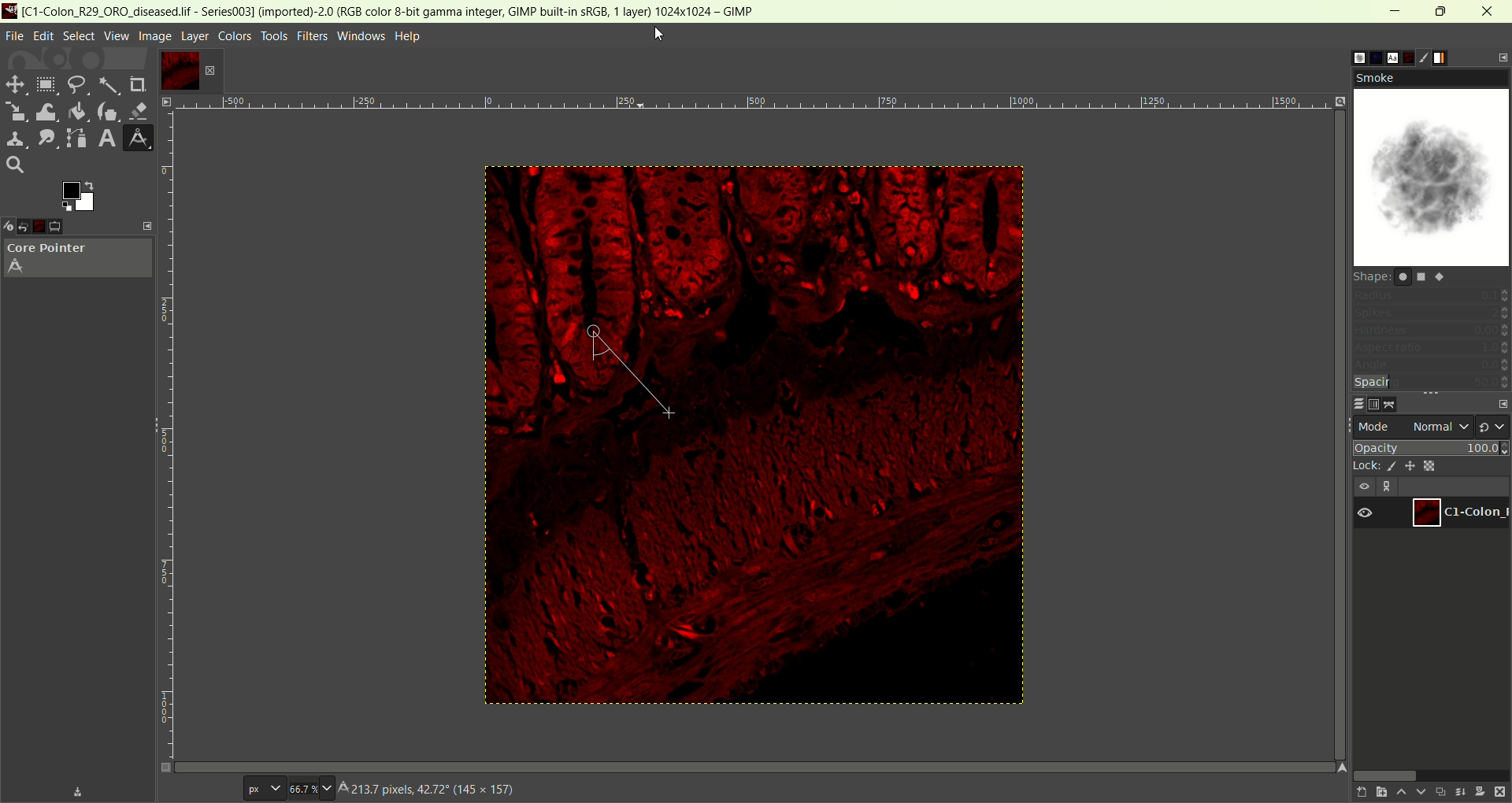 This screenshot has height=803, width=1512. I want to click on visibility, so click(1366, 514).